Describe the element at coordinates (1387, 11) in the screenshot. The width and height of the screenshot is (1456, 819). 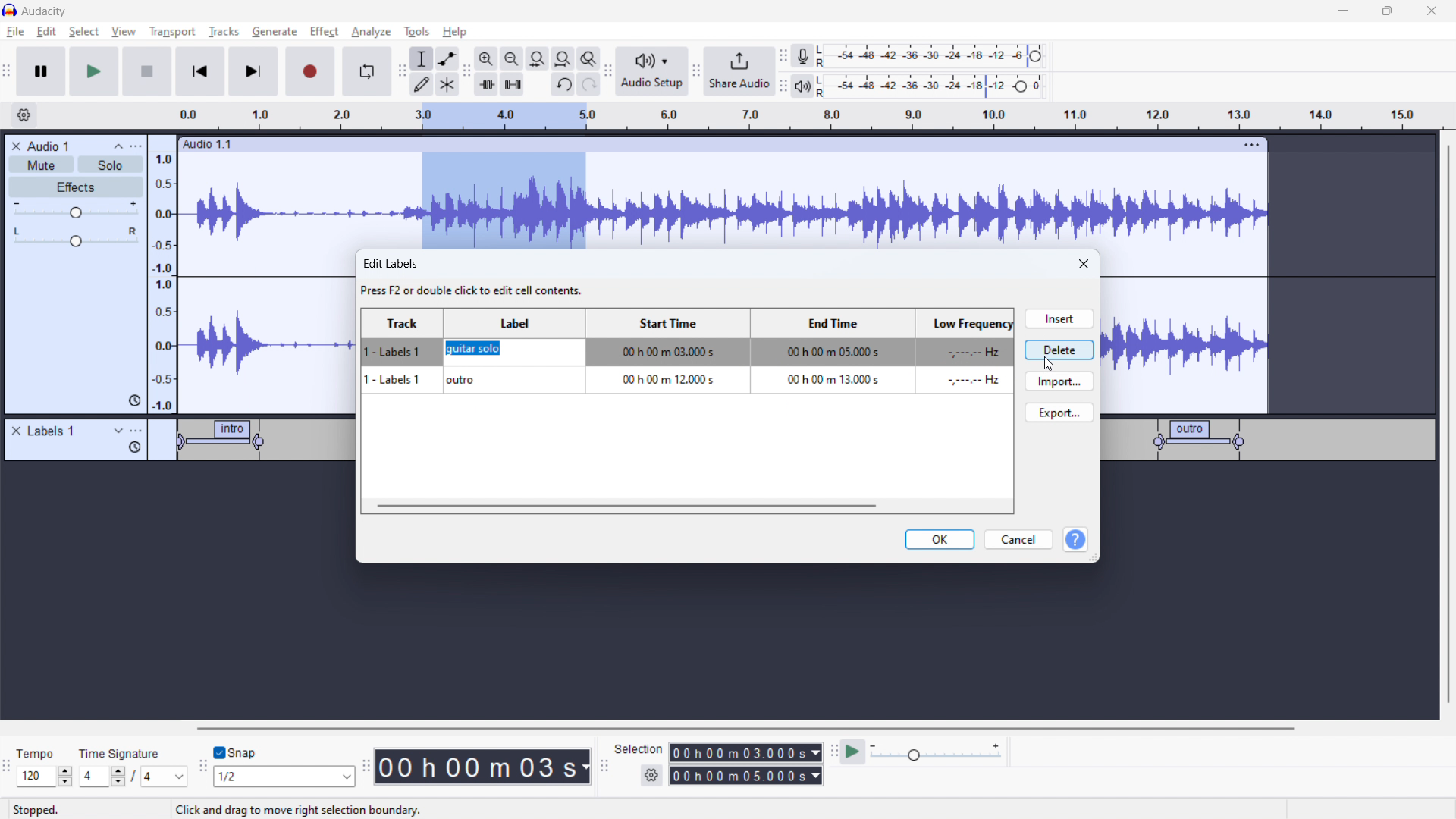
I see `maximize` at that location.